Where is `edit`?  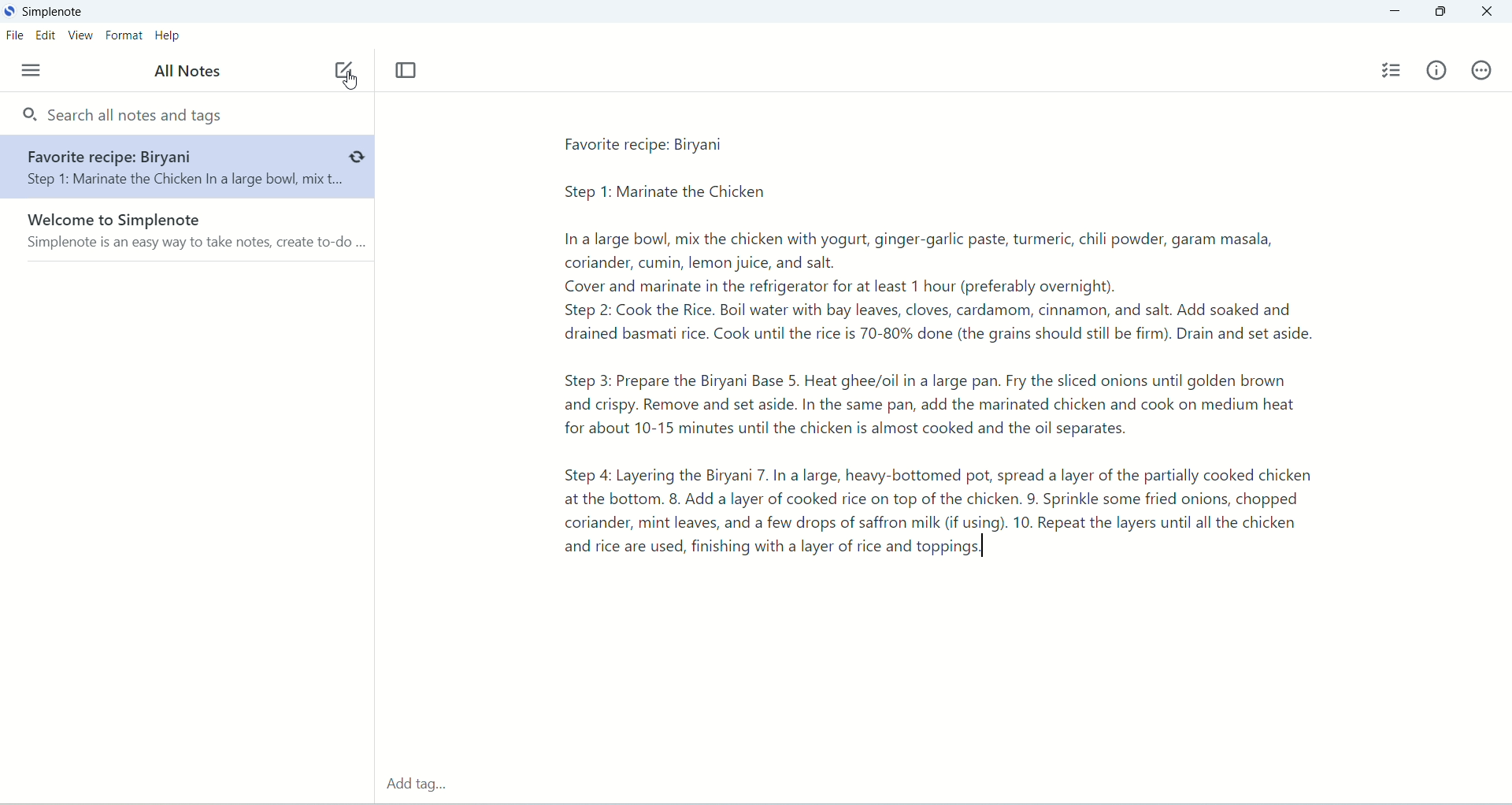
edit is located at coordinates (46, 35).